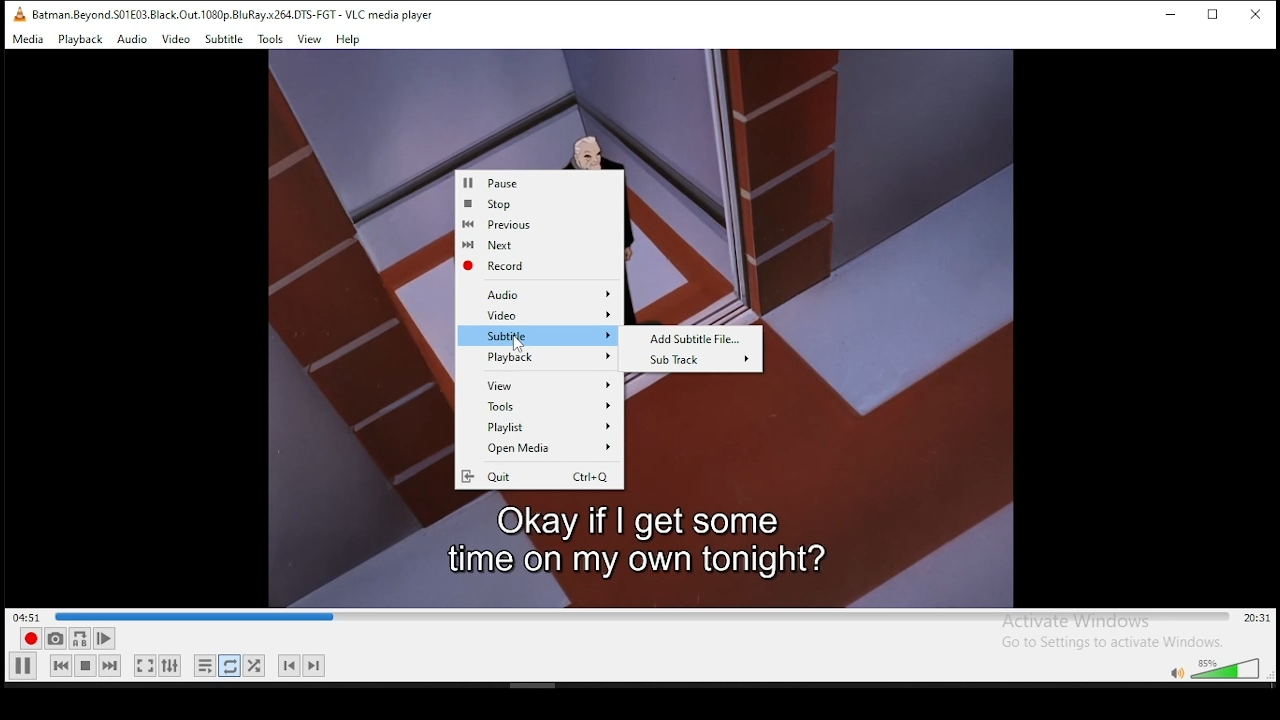  Describe the element at coordinates (538, 477) in the screenshot. I see `Quit` at that location.